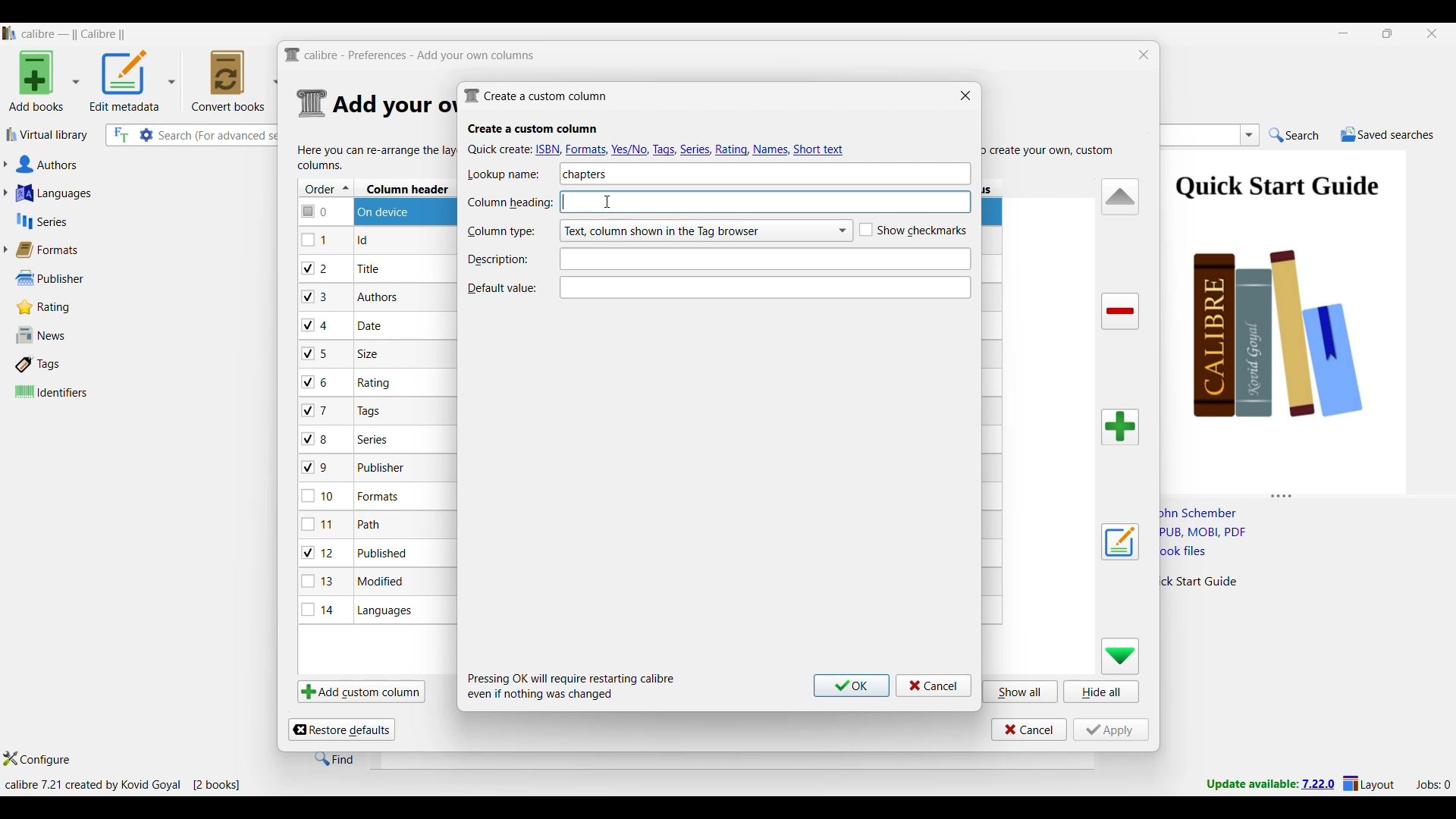 The height and width of the screenshot is (819, 1456). Describe the element at coordinates (1294, 136) in the screenshot. I see `Search` at that location.